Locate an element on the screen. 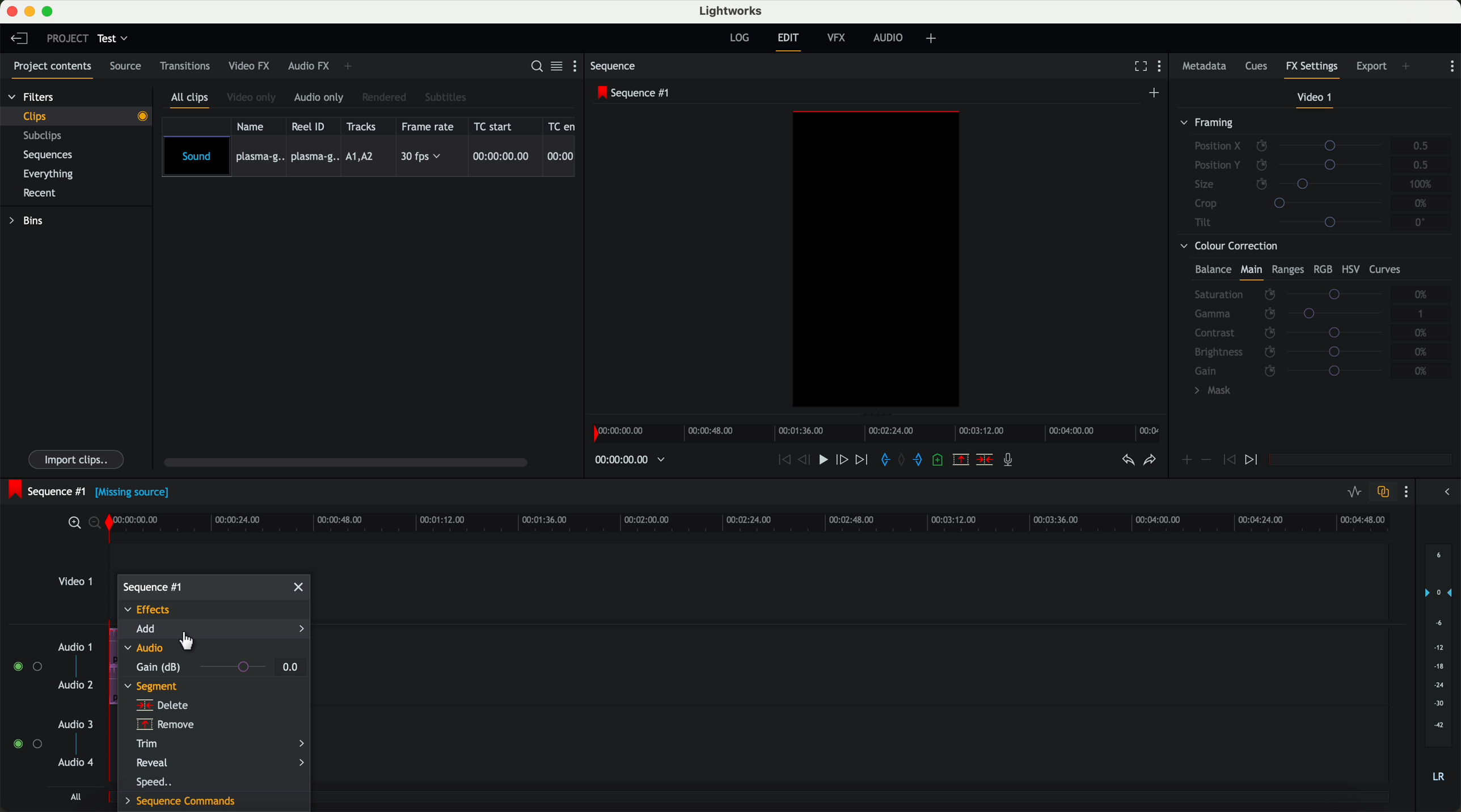  add keyframe at the current position is located at coordinates (1187, 460).